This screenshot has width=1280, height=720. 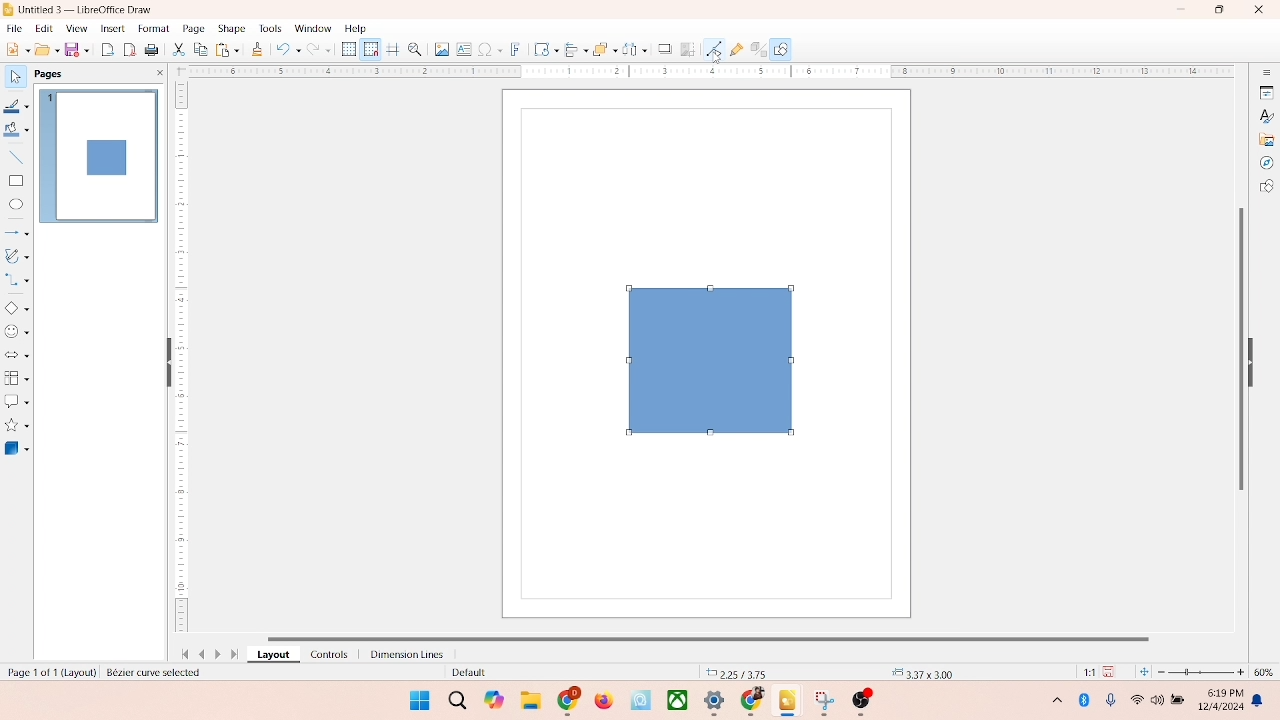 What do you see at coordinates (530, 698) in the screenshot?
I see `folders` at bounding box center [530, 698].